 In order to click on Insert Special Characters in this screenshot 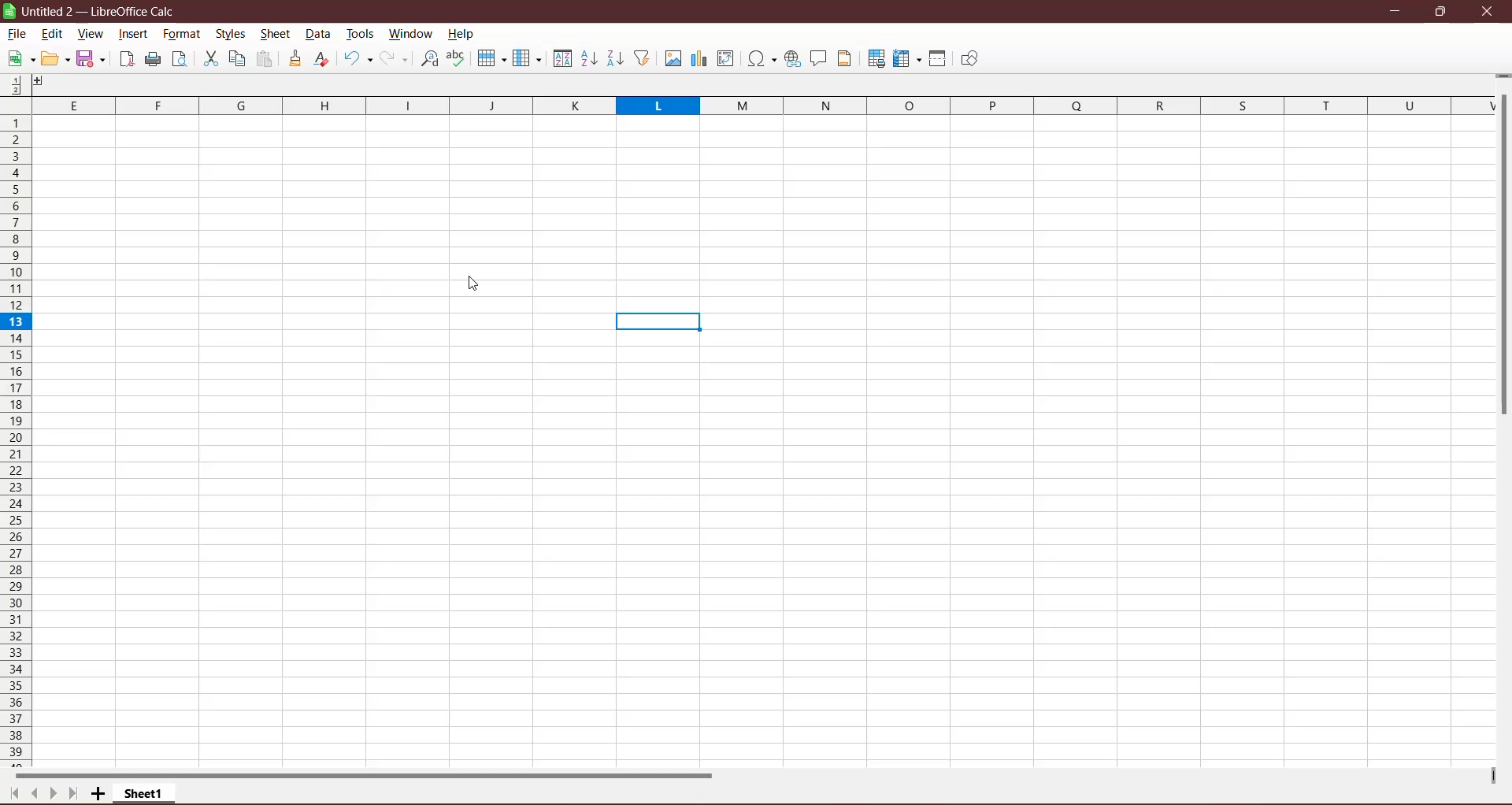, I will do `click(762, 58)`.